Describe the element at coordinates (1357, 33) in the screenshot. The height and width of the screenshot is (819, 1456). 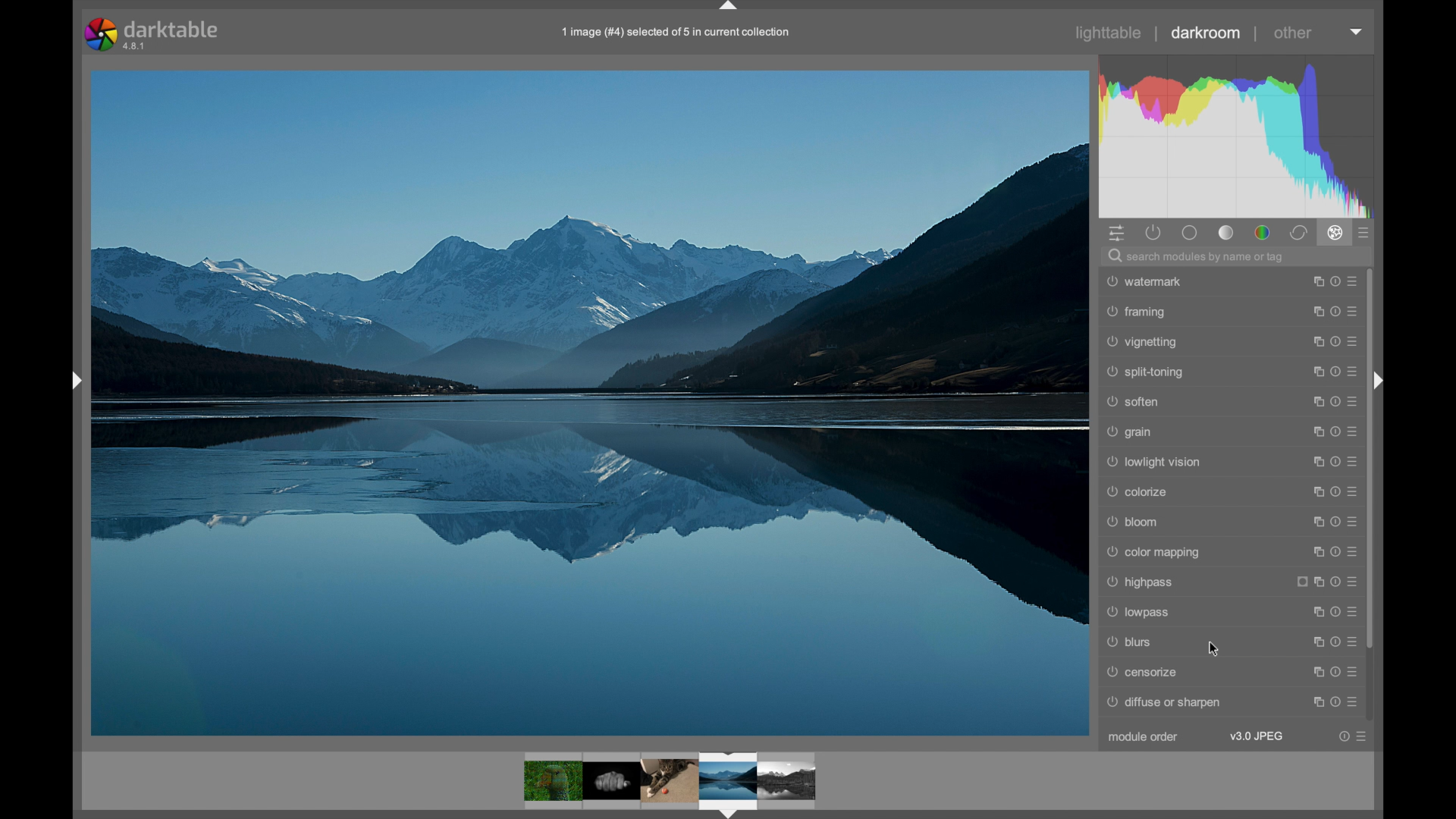
I see `dropdown menu` at that location.